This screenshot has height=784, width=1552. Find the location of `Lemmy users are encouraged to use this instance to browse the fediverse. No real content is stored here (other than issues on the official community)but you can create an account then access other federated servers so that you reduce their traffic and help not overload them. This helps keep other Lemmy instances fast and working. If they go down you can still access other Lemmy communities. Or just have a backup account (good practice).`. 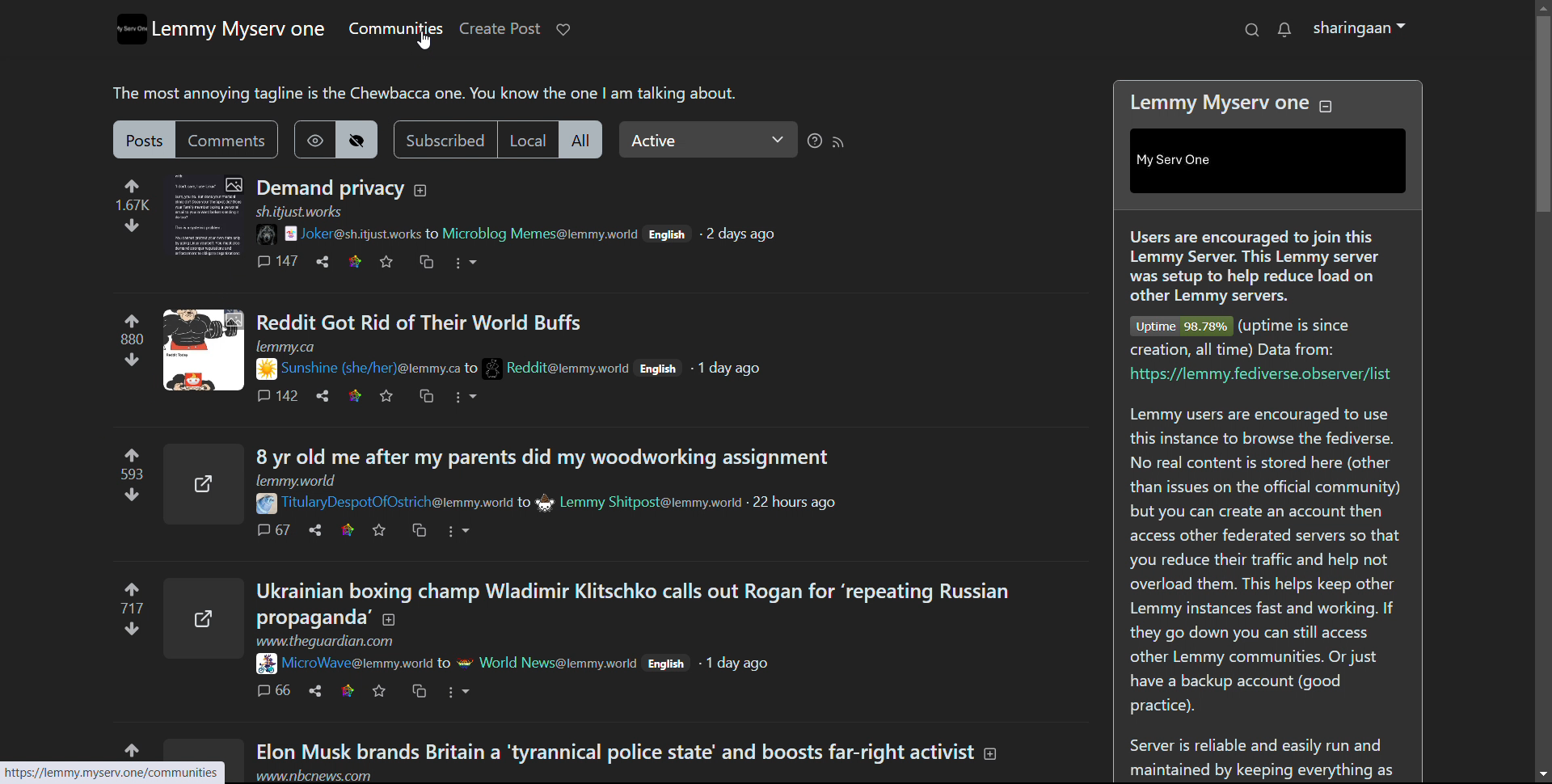

Lemmy users are encouraged to use this instance to browse the fediverse. No real content is stored here (other than issues on the official community)but you can create an account then access other federated servers so that you reduce their traffic and help not overload them. This helps keep other Lemmy instances fast and working. If they go down you can still access other Lemmy communities. Or just have a backup account (good practice). is located at coordinates (1263, 559).